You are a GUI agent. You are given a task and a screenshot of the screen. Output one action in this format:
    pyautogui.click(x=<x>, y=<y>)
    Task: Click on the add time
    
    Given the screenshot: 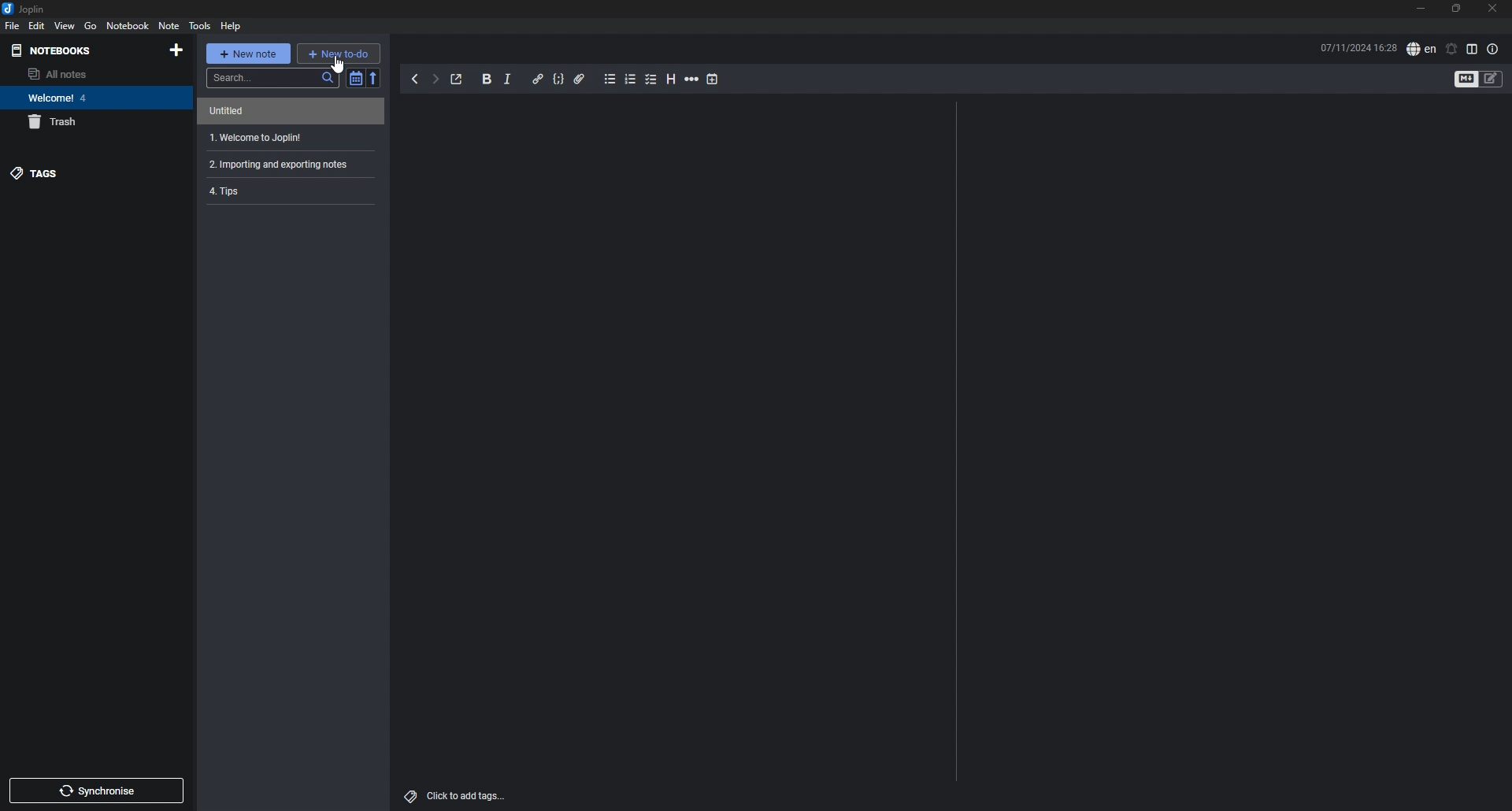 What is the action you would take?
    pyautogui.click(x=713, y=79)
    